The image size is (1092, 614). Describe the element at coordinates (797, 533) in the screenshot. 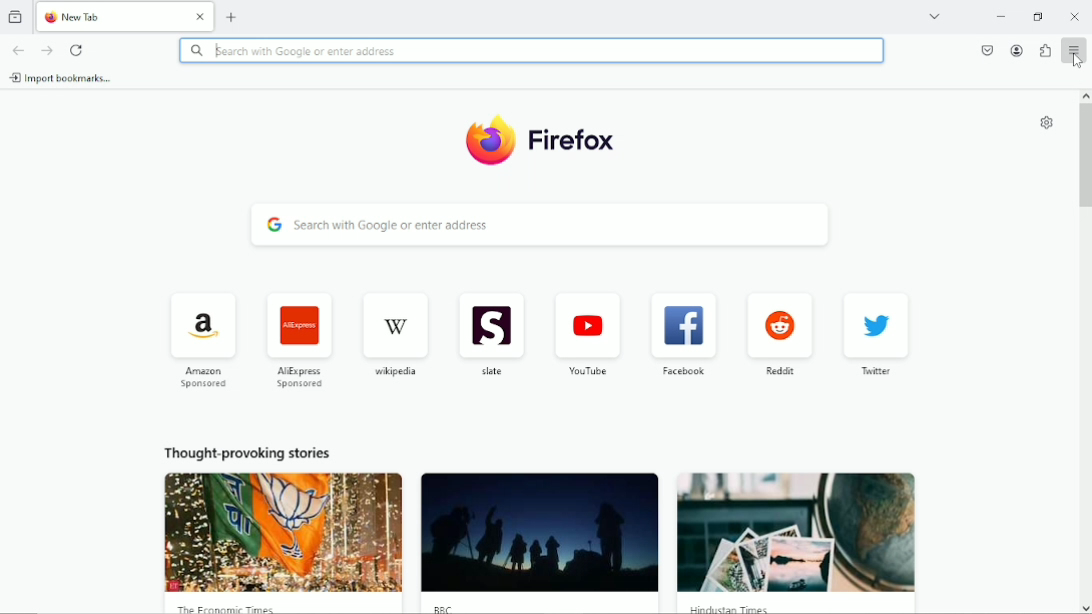

I see `image` at that location.